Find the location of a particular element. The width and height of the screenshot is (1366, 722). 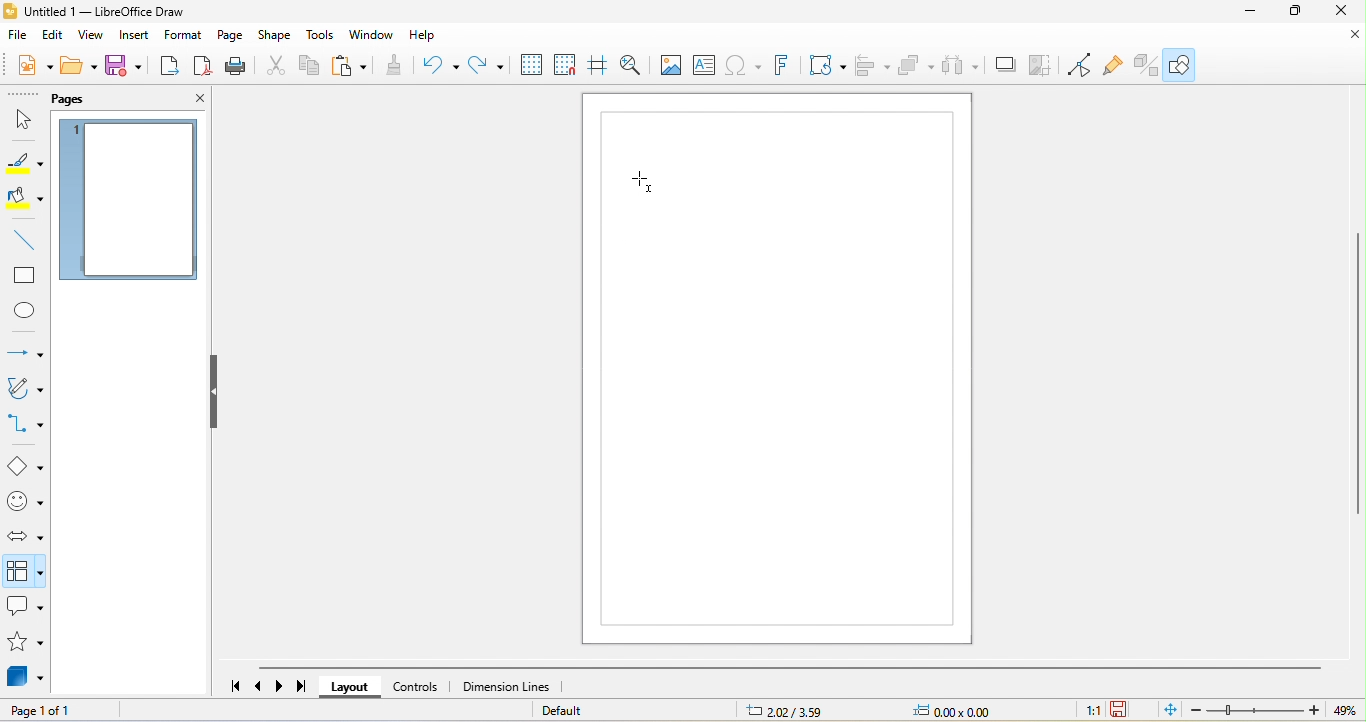

3d object is located at coordinates (28, 679).